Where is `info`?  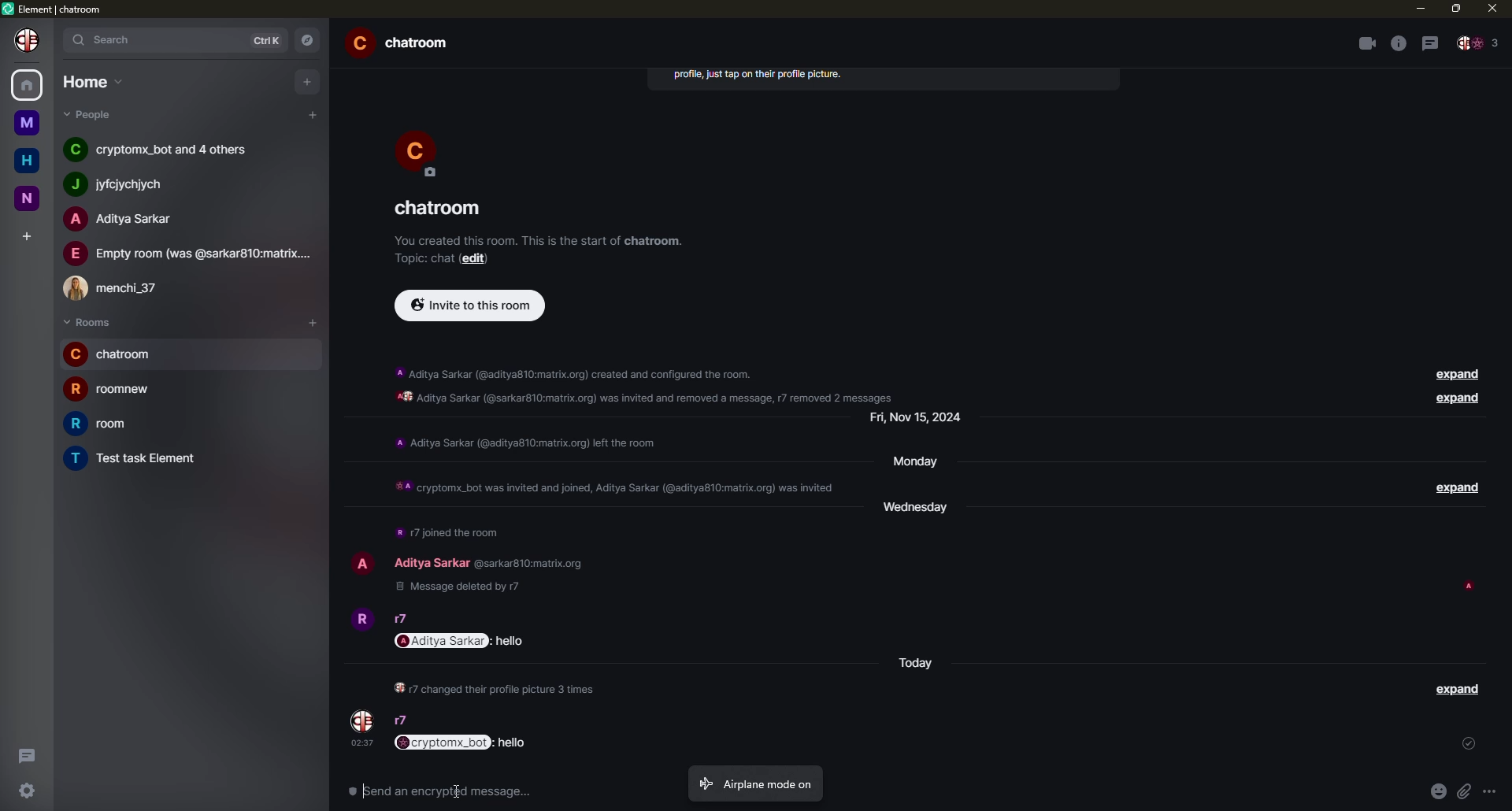
info is located at coordinates (610, 487).